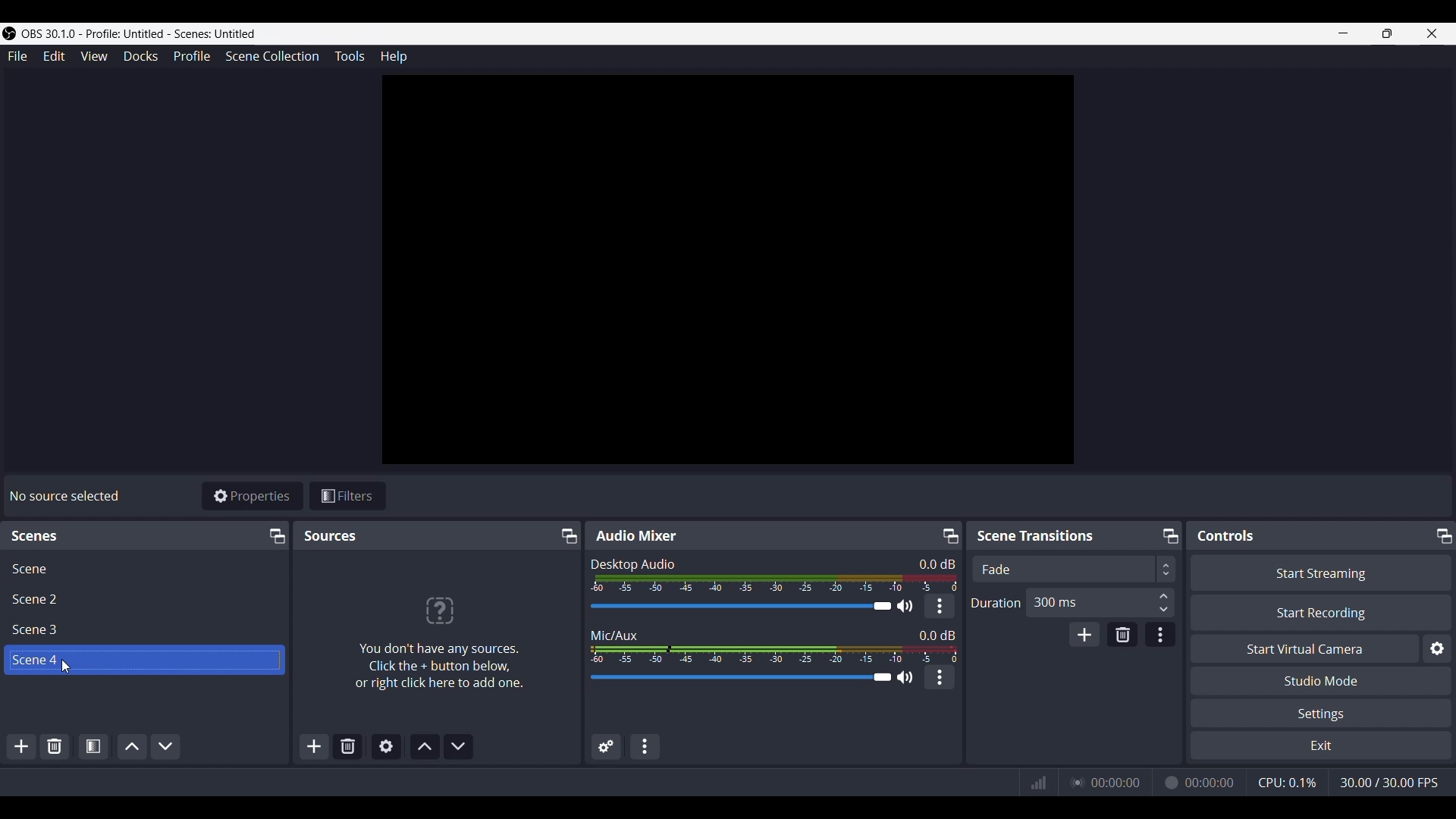  Describe the element at coordinates (273, 55) in the screenshot. I see `Scene Collection` at that location.